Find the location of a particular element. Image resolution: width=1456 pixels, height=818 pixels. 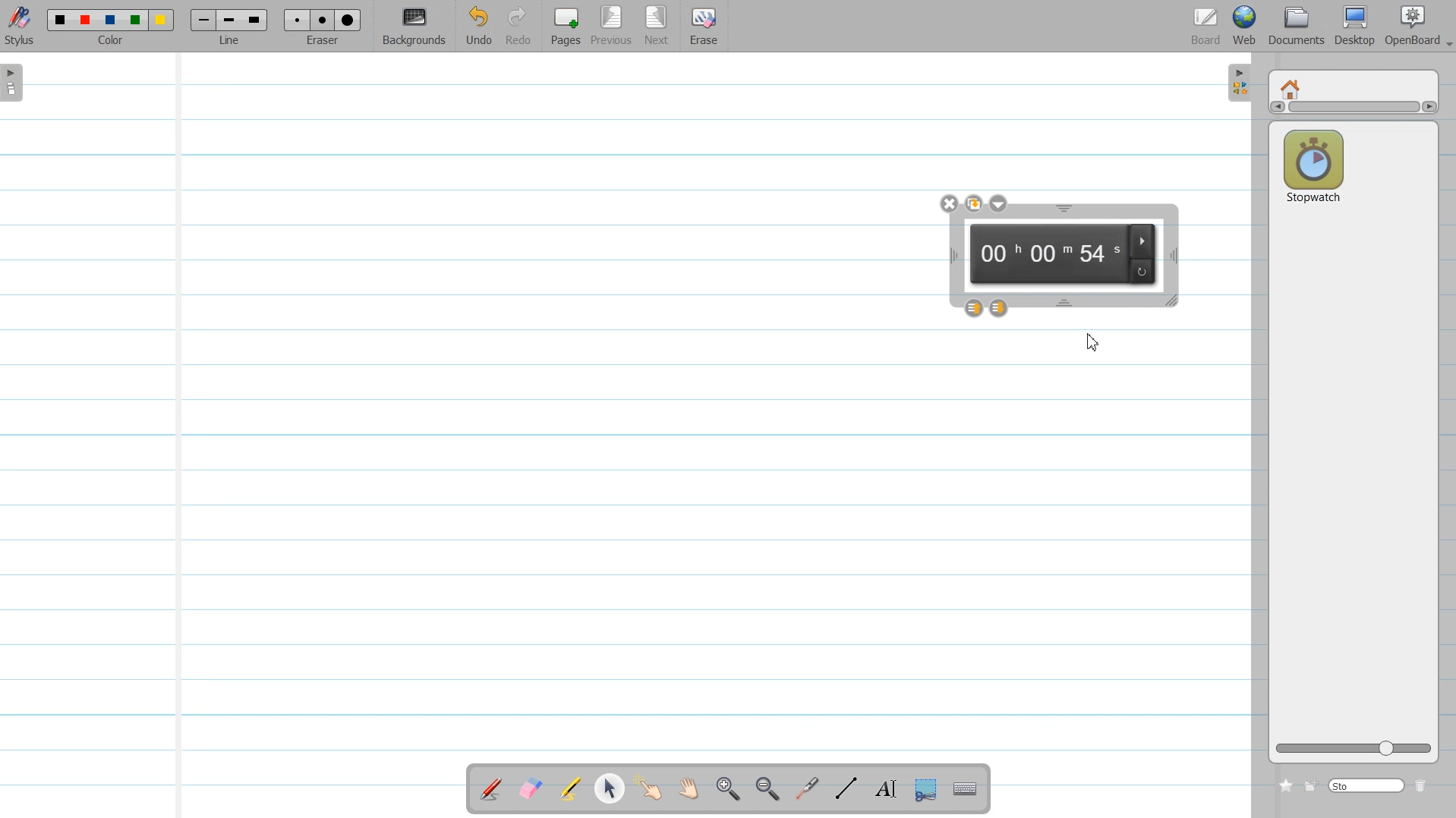

close is located at coordinates (949, 203).